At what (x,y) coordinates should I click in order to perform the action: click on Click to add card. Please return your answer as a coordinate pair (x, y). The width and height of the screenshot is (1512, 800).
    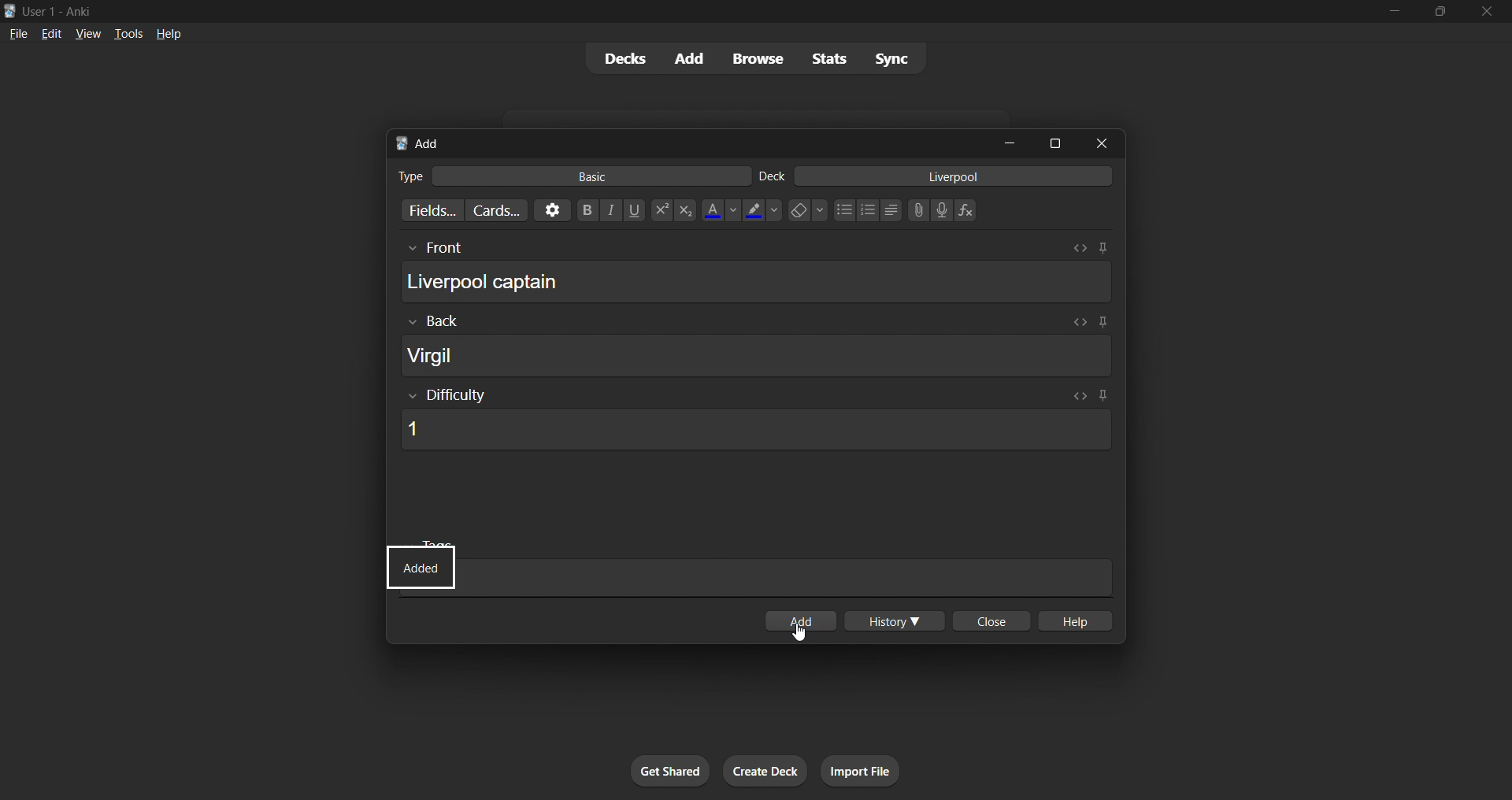
    Looking at the image, I should click on (800, 620).